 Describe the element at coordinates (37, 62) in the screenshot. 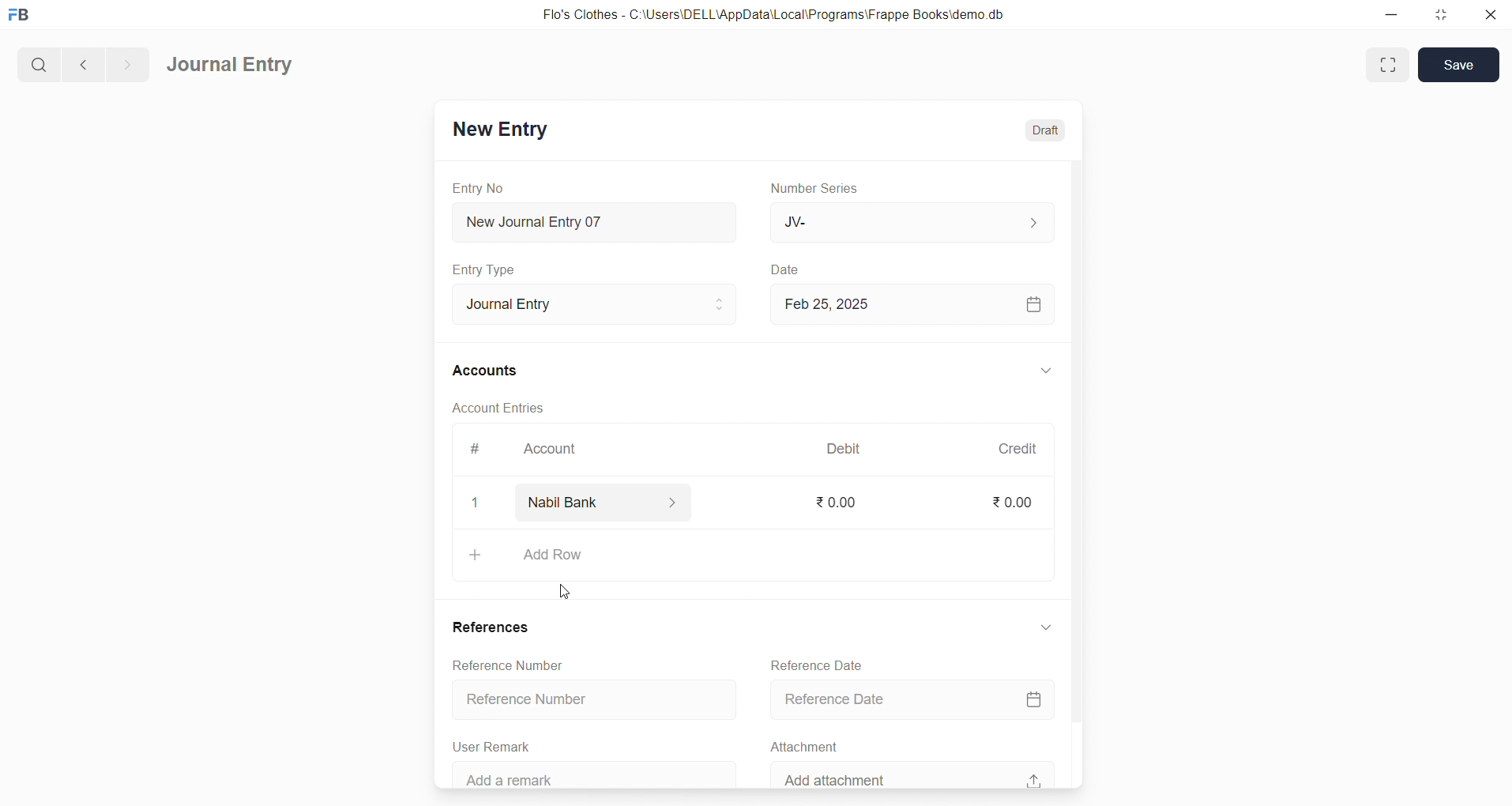

I see `search` at that location.